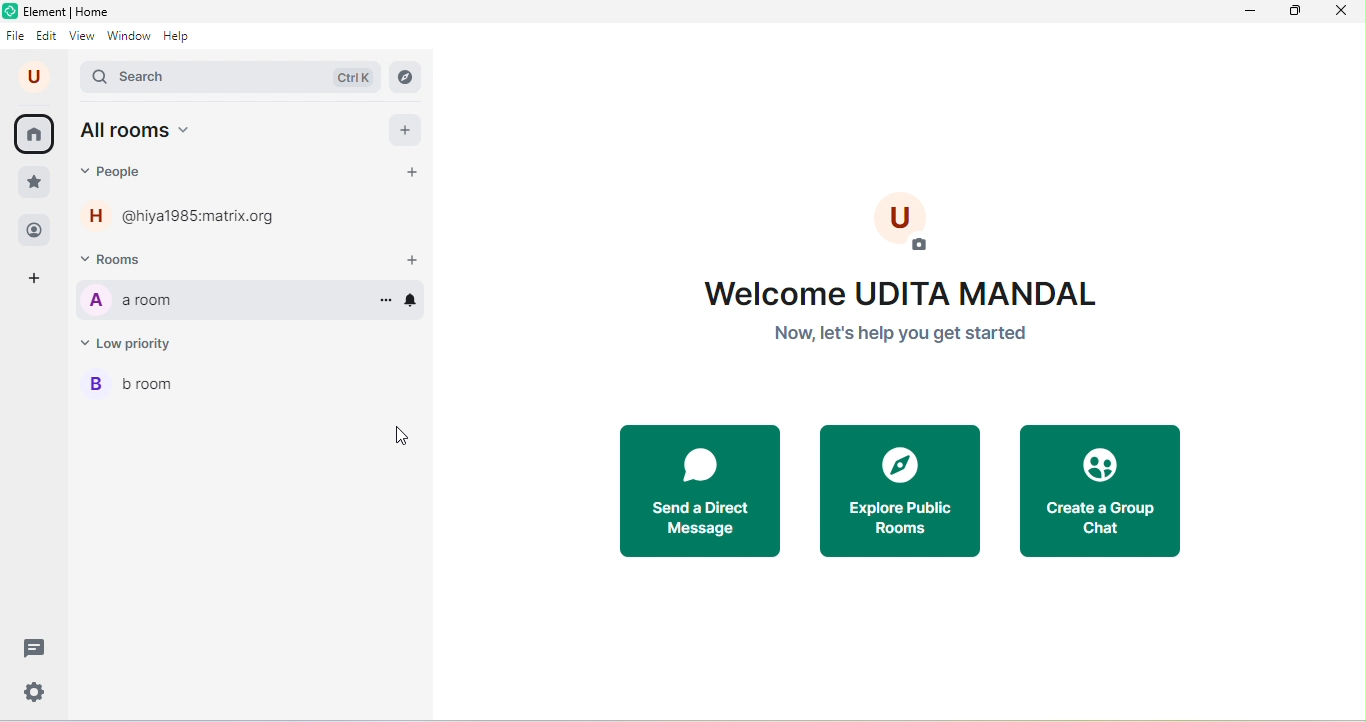 The height and width of the screenshot is (722, 1366). Describe the element at coordinates (414, 302) in the screenshot. I see `room notifications` at that location.